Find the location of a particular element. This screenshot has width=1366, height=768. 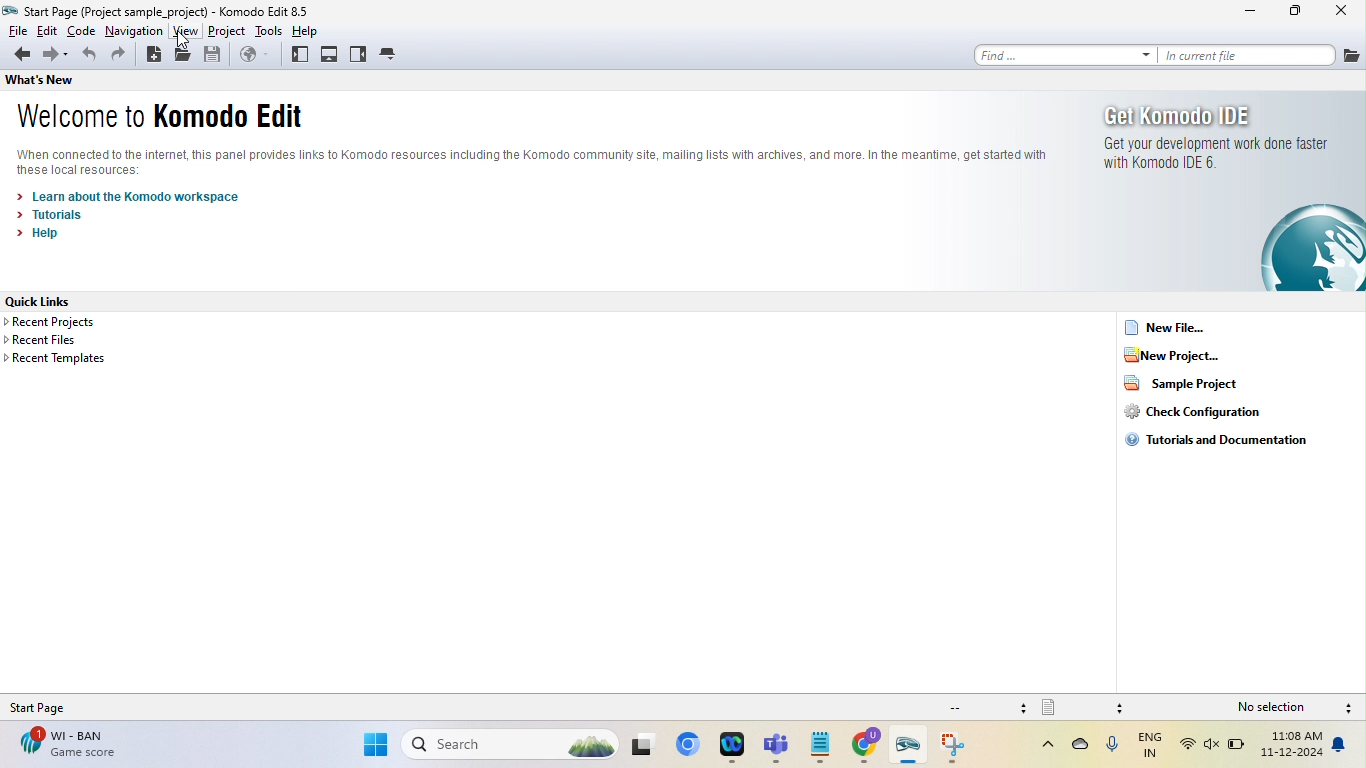

project is located at coordinates (228, 32).